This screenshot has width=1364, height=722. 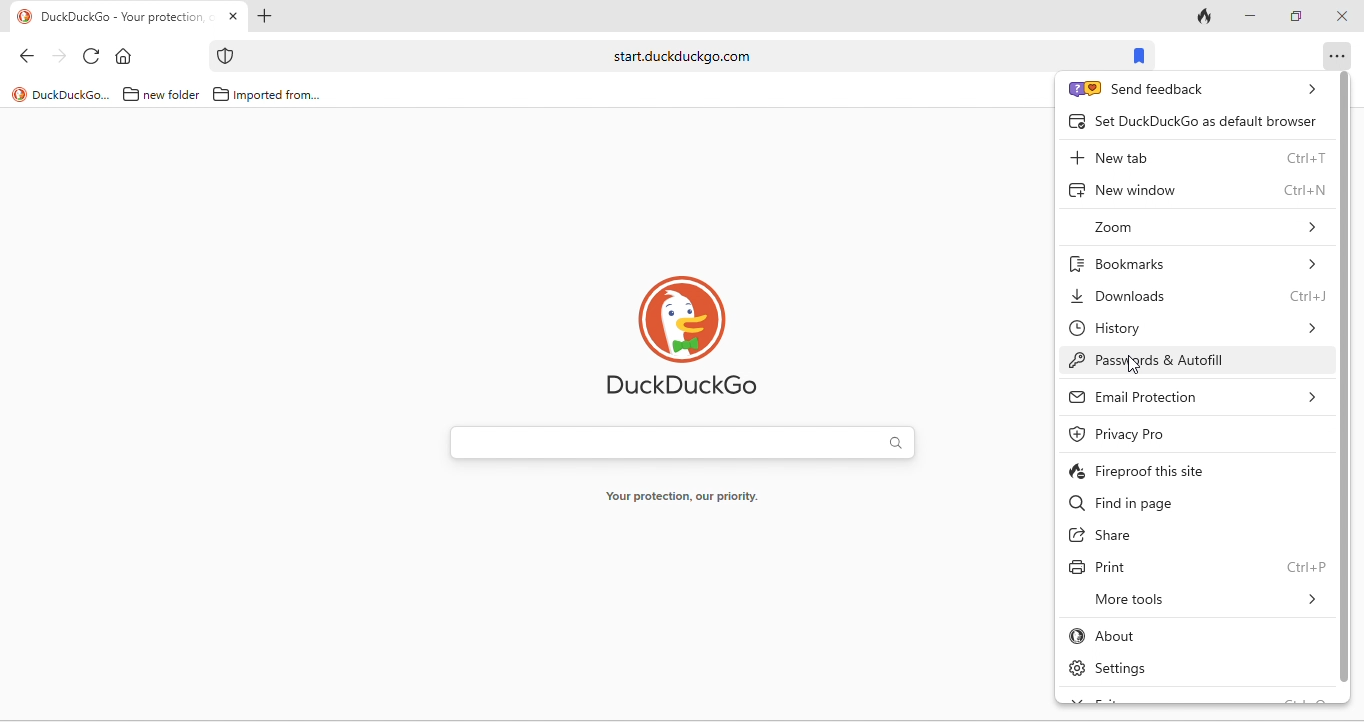 What do you see at coordinates (125, 55) in the screenshot?
I see `home` at bounding box center [125, 55].